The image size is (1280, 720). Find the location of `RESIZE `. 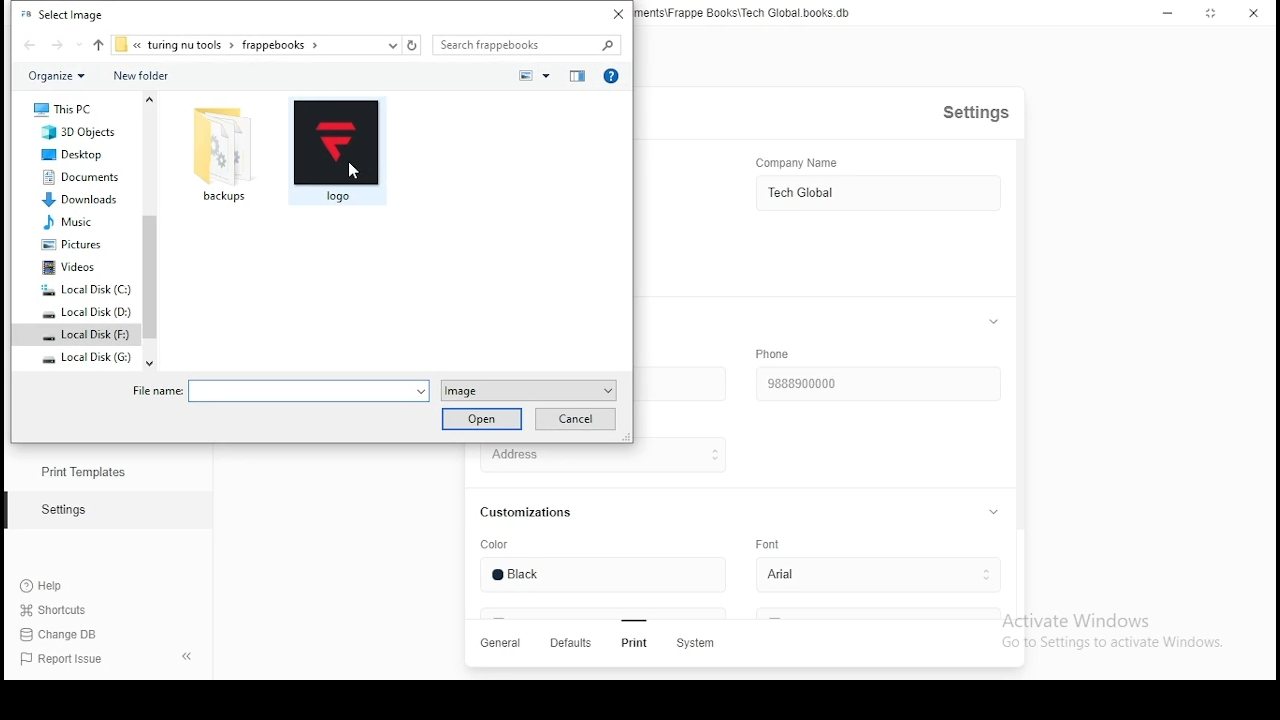

RESIZE  is located at coordinates (1213, 12).